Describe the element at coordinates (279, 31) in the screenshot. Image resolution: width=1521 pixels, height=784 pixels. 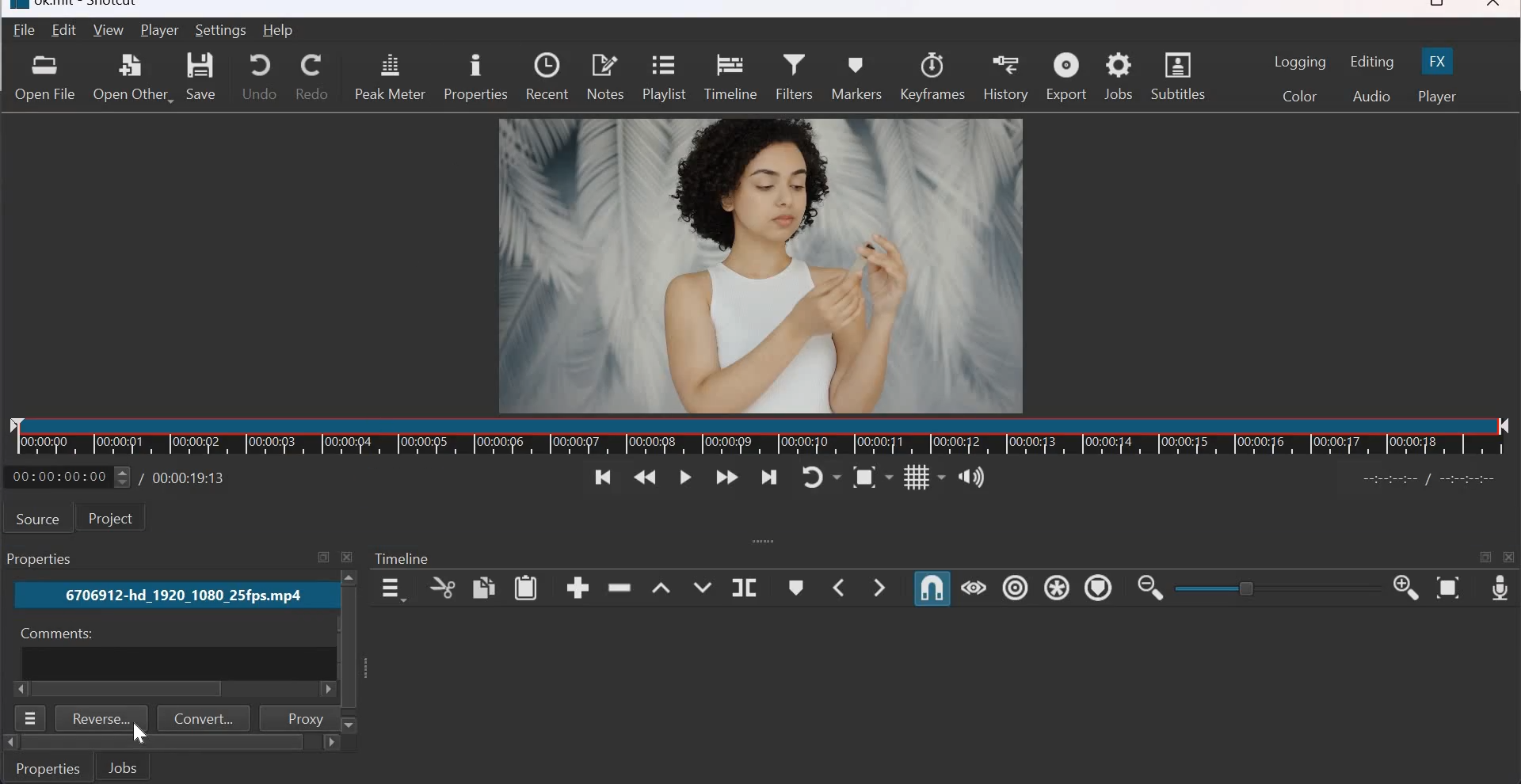
I see `Help` at that location.